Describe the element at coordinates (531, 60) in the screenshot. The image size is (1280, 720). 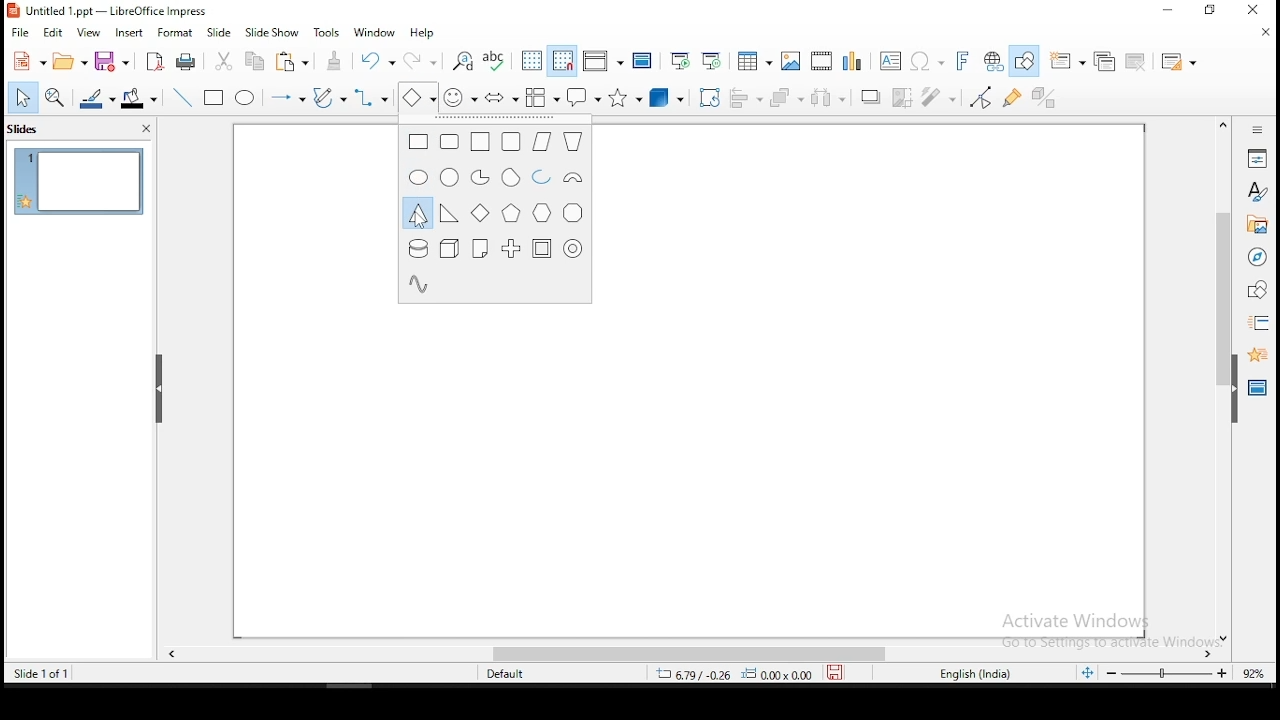
I see `show grid` at that location.